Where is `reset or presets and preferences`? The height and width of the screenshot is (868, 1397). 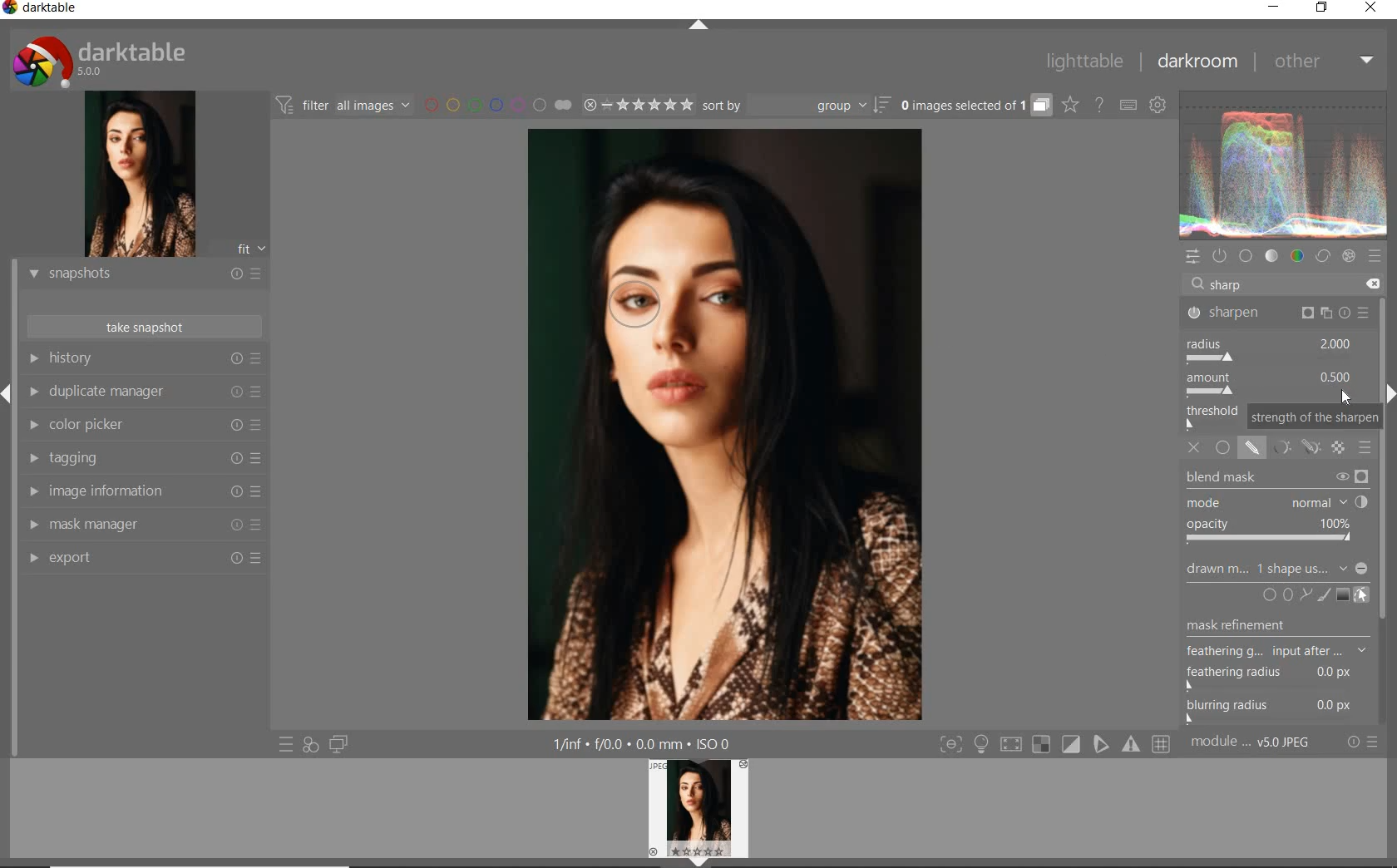
reset or presets and preferences is located at coordinates (1363, 742).